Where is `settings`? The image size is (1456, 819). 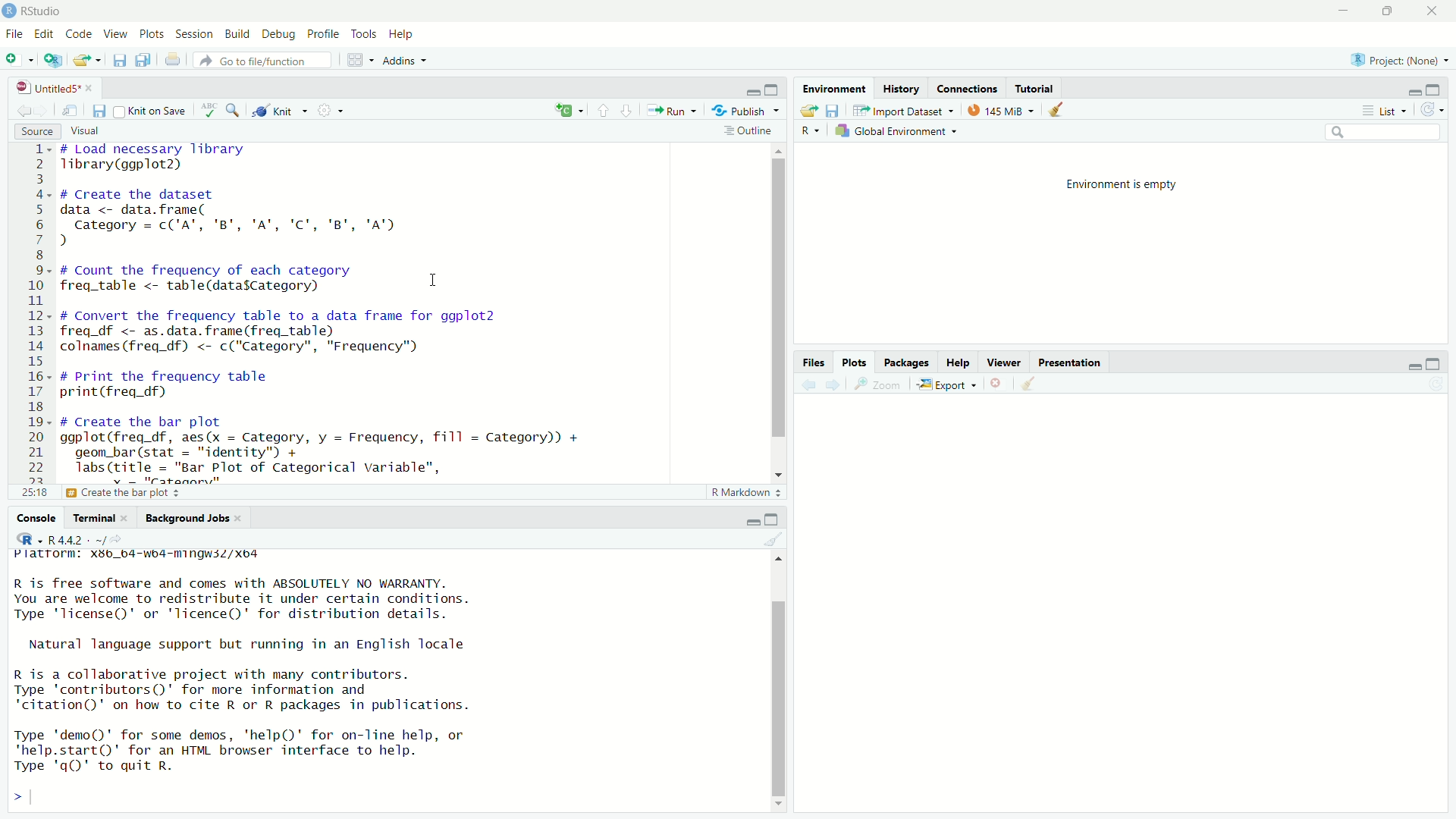
settings is located at coordinates (329, 110).